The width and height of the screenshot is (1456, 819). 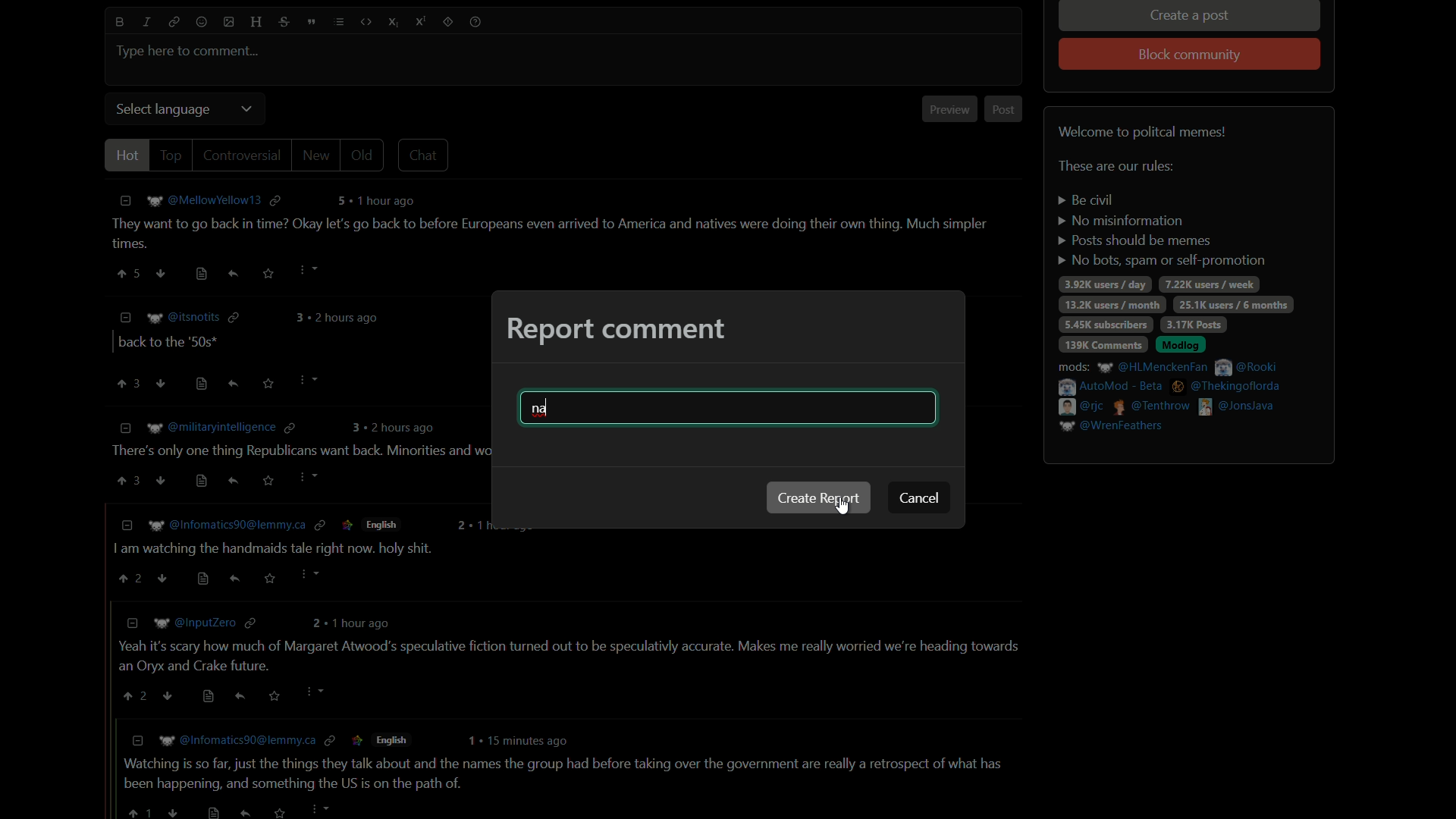 I want to click on code, so click(x=366, y=22).